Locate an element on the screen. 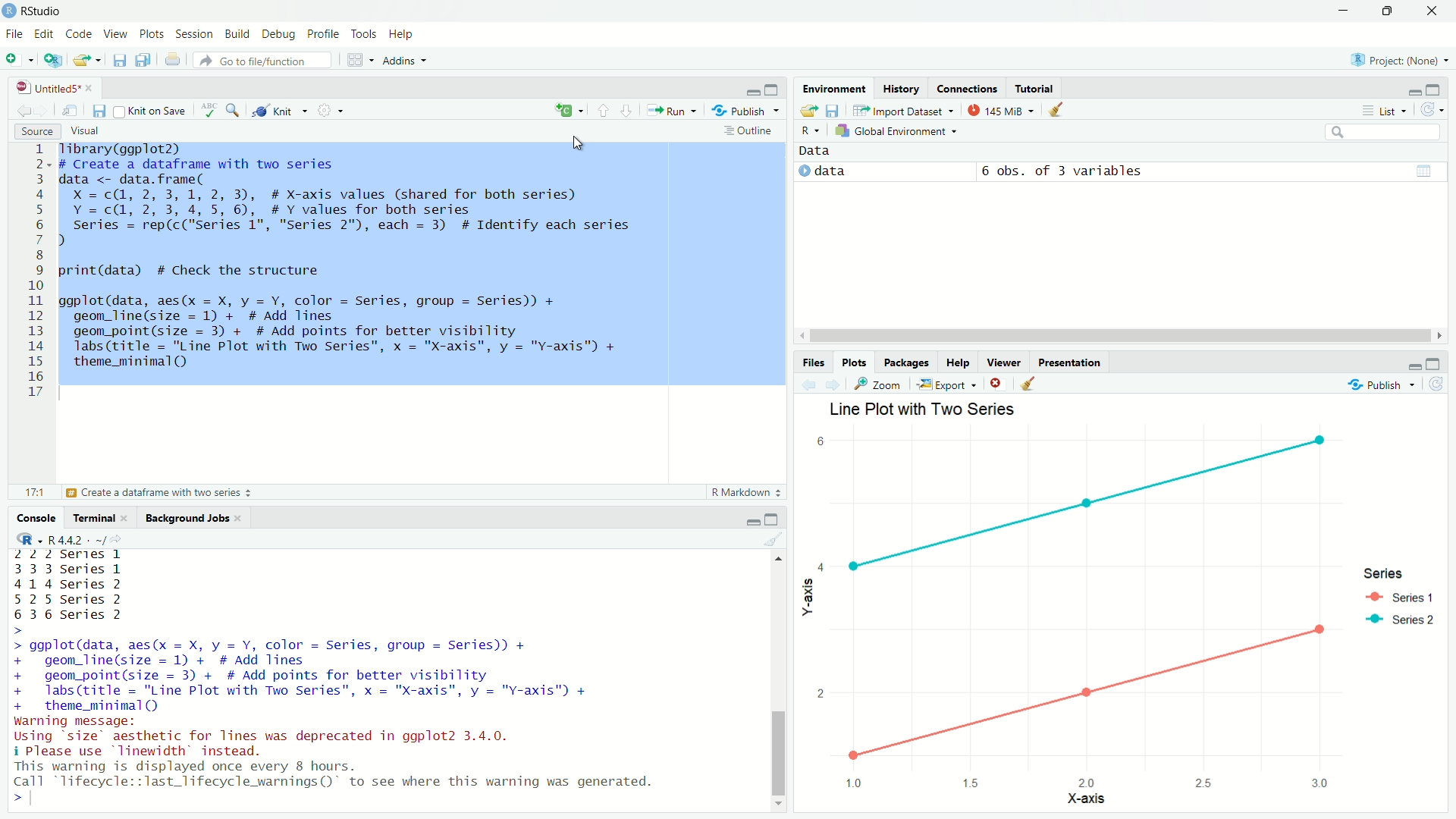 The width and height of the screenshot is (1456, 819). Untitled is located at coordinates (53, 86).